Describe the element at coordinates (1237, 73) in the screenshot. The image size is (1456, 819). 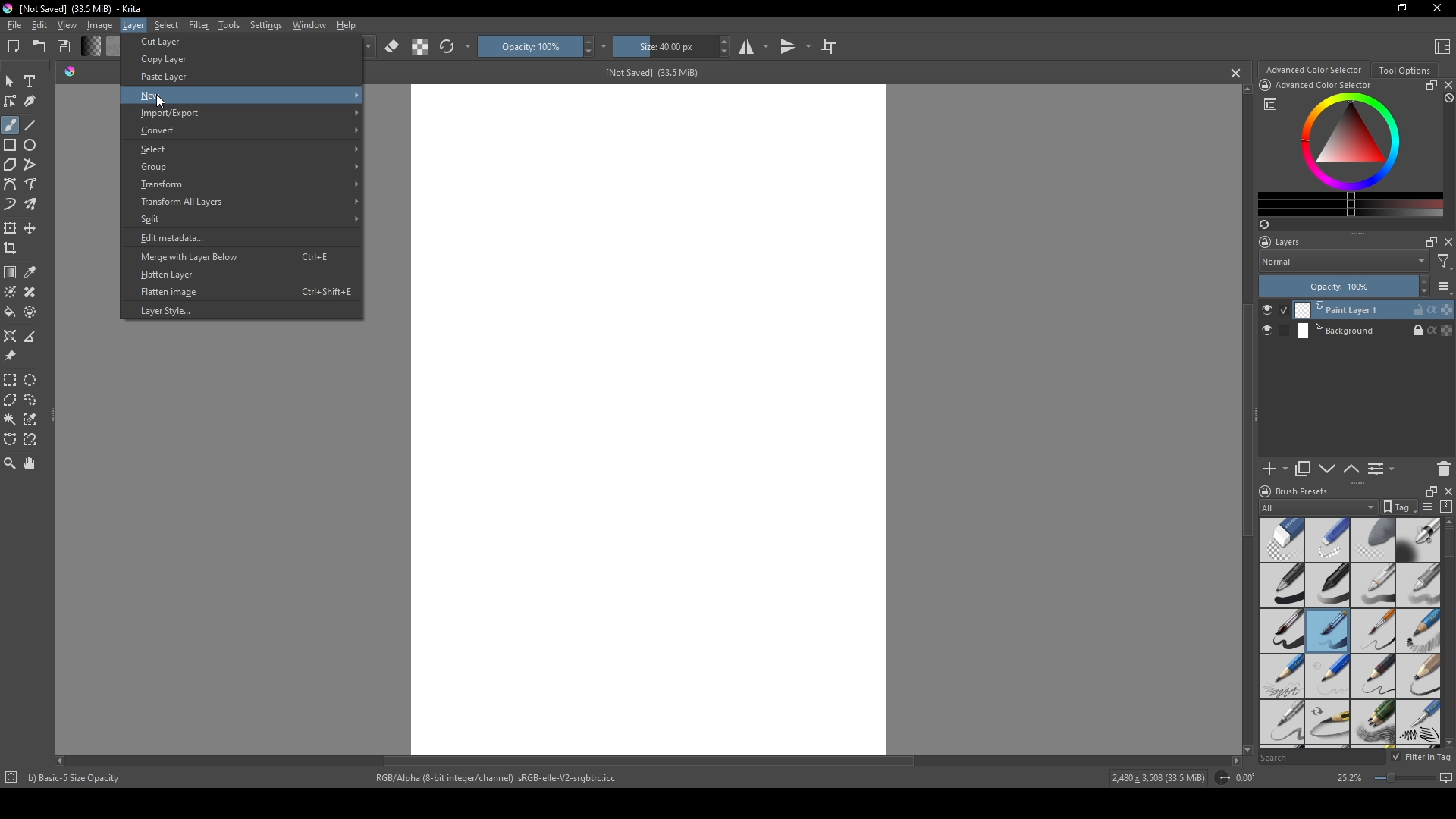
I see `cancel` at that location.